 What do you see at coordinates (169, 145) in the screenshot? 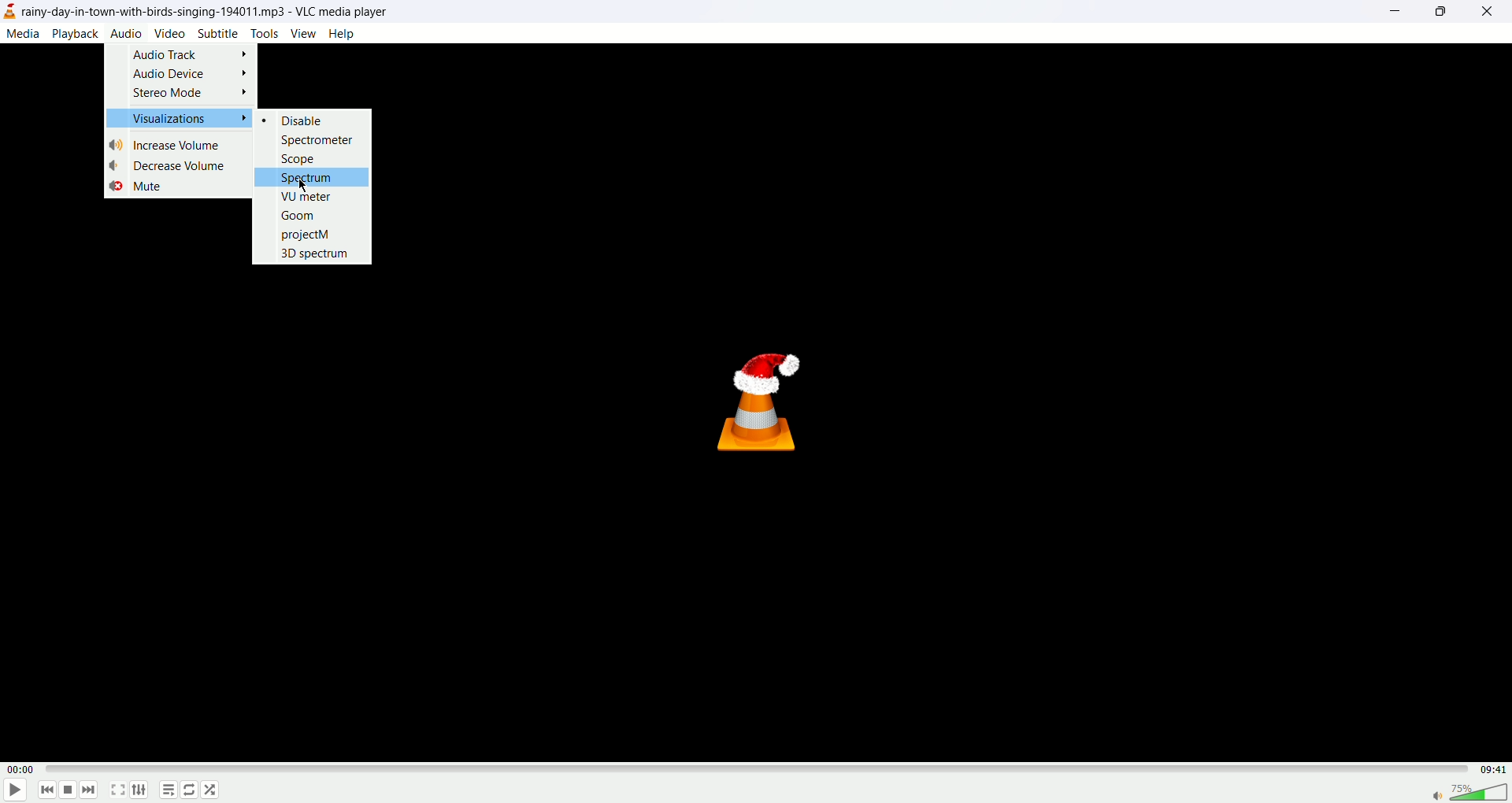
I see `increase volume` at bounding box center [169, 145].